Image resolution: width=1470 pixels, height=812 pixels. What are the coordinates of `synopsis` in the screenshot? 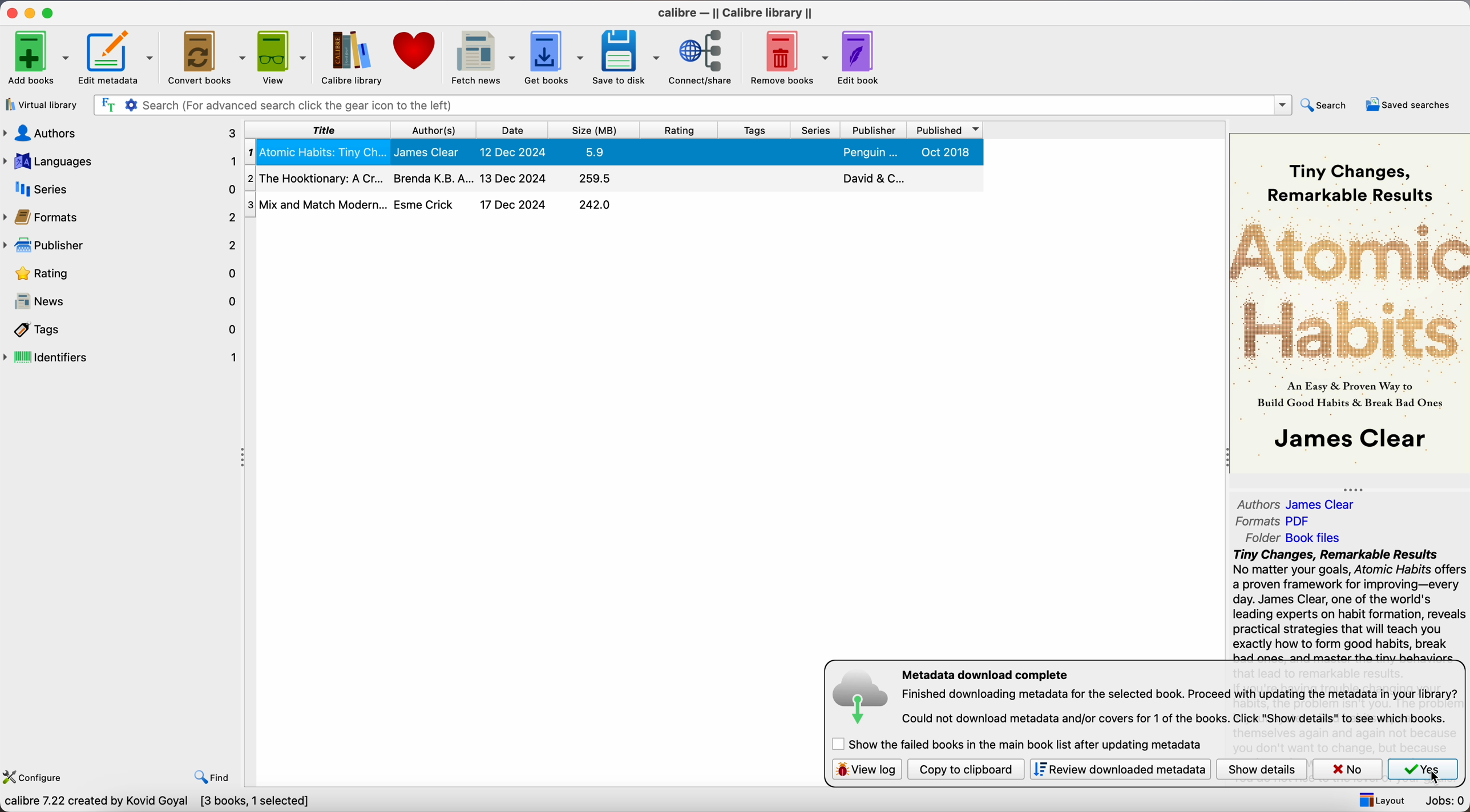 It's located at (1350, 604).